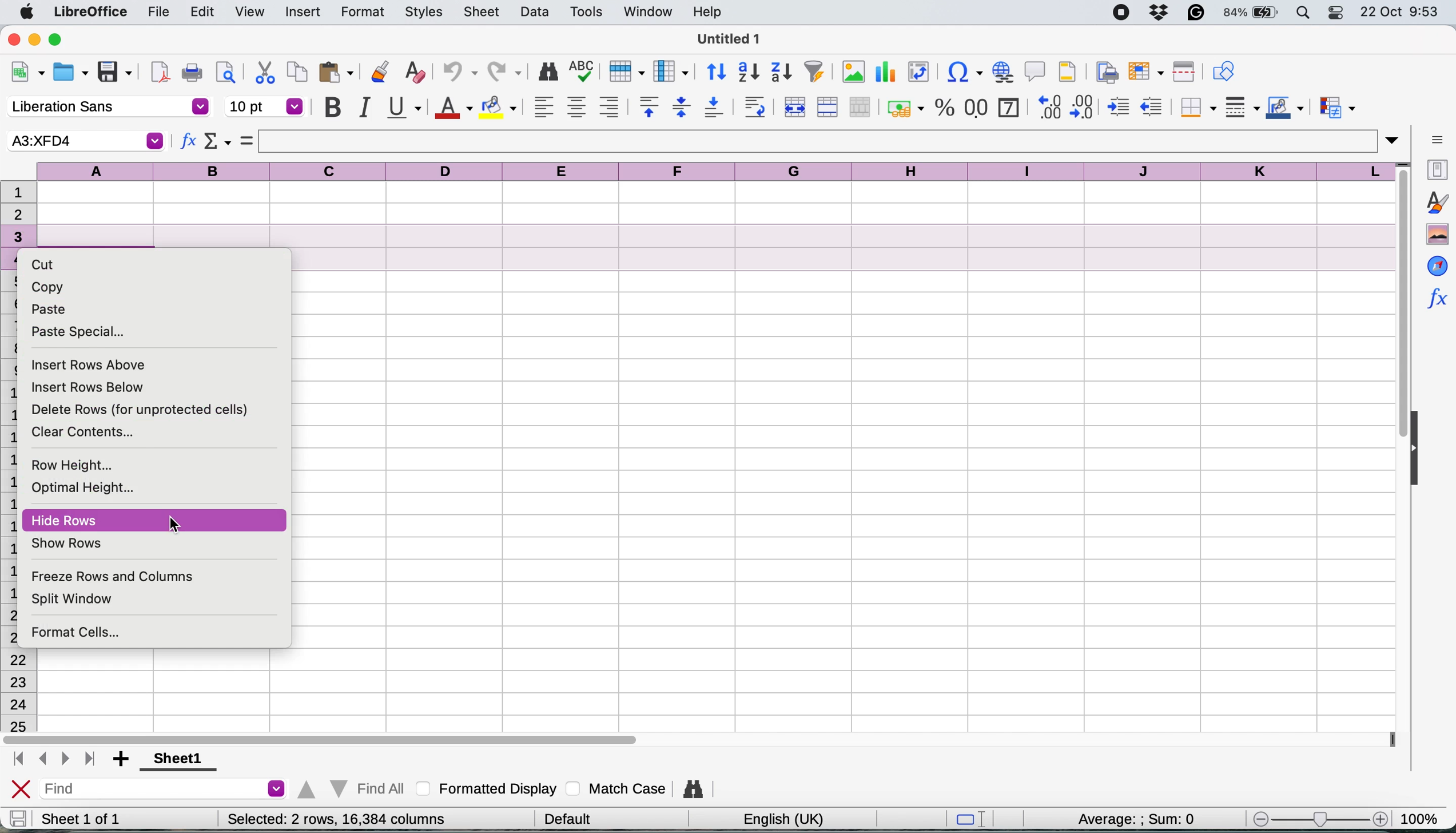 This screenshot has height=833, width=1456. Describe the element at coordinates (726, 38) in the screenshot. I see `Untitled 1` at that location.